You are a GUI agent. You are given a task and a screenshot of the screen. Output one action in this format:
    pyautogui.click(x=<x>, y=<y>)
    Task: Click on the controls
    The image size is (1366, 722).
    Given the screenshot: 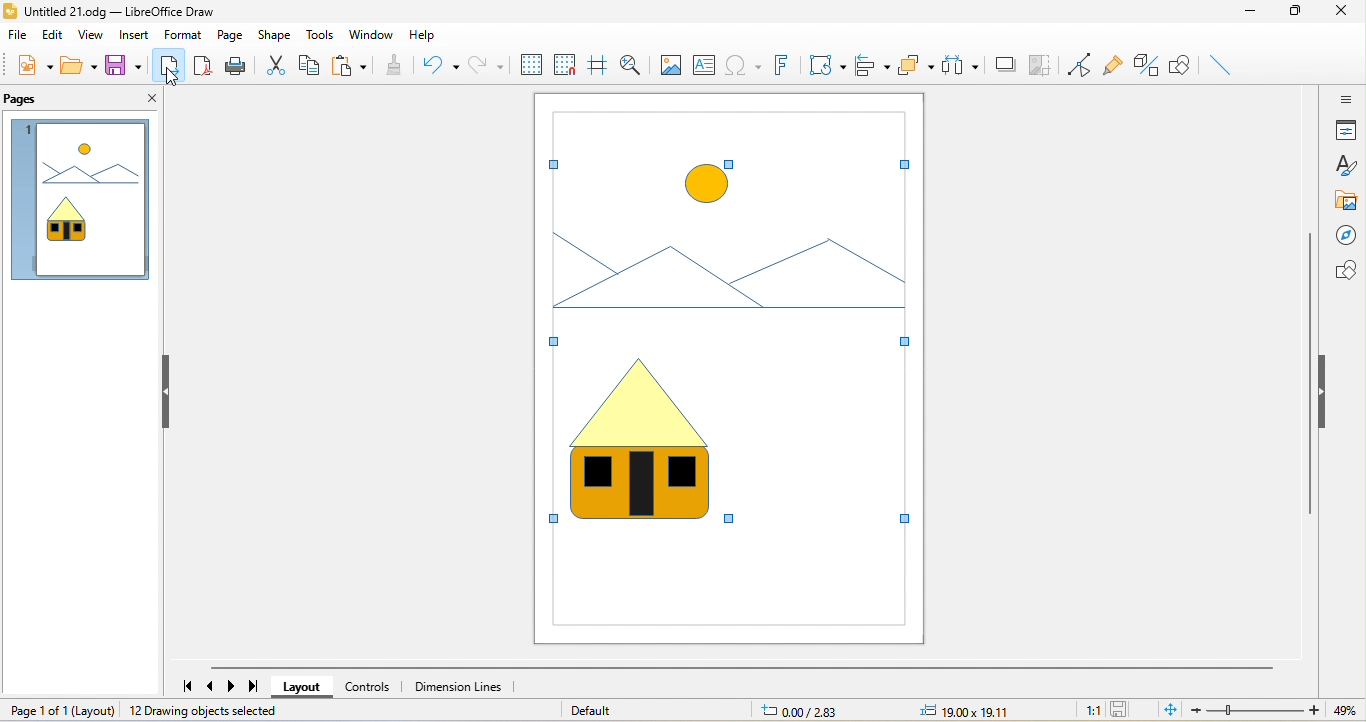 What is the action you would take?
    pyautogui.click(x=368, y=686)
    